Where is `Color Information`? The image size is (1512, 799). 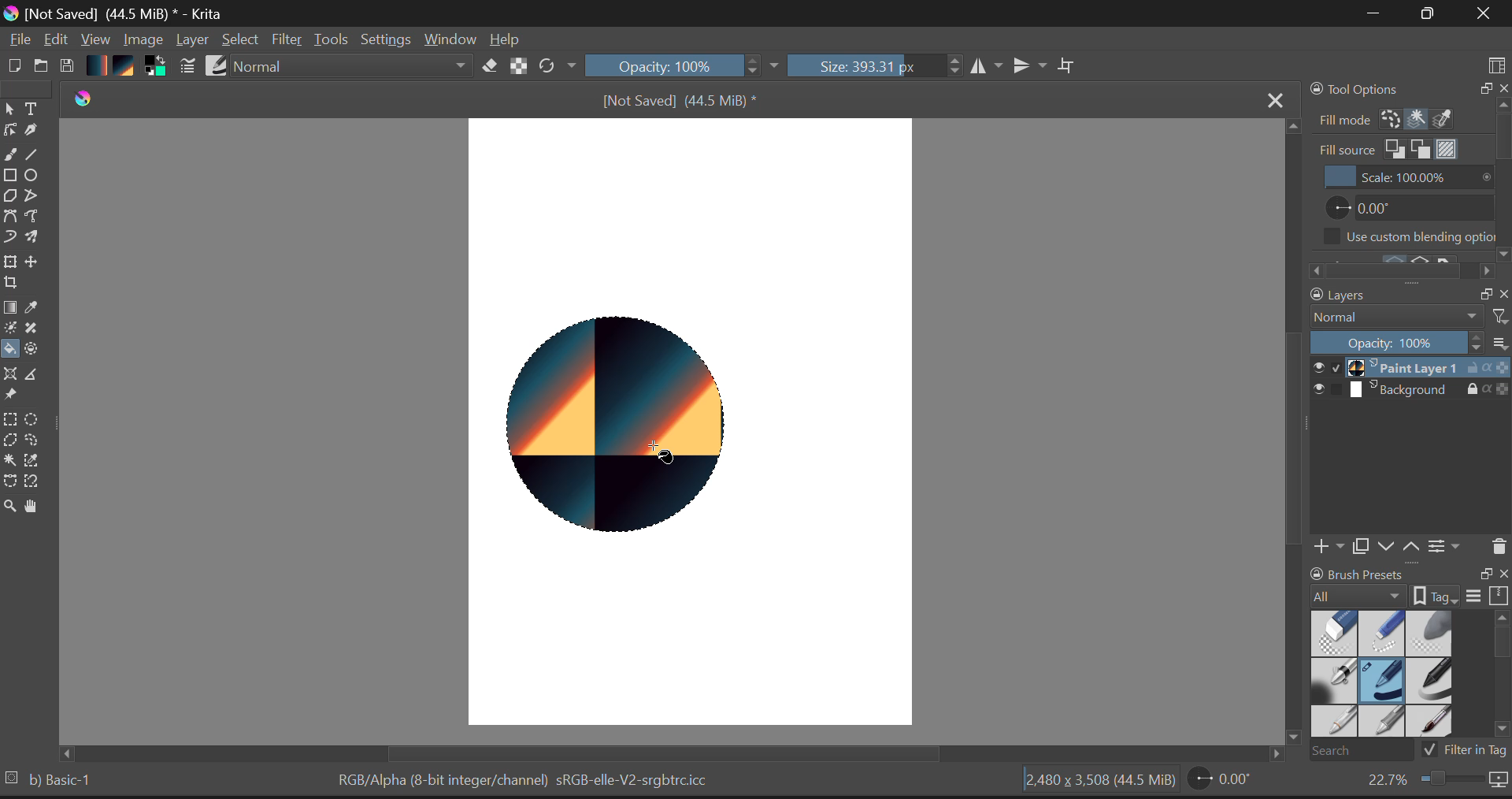 Color Information is located at coordinates (528, 782).